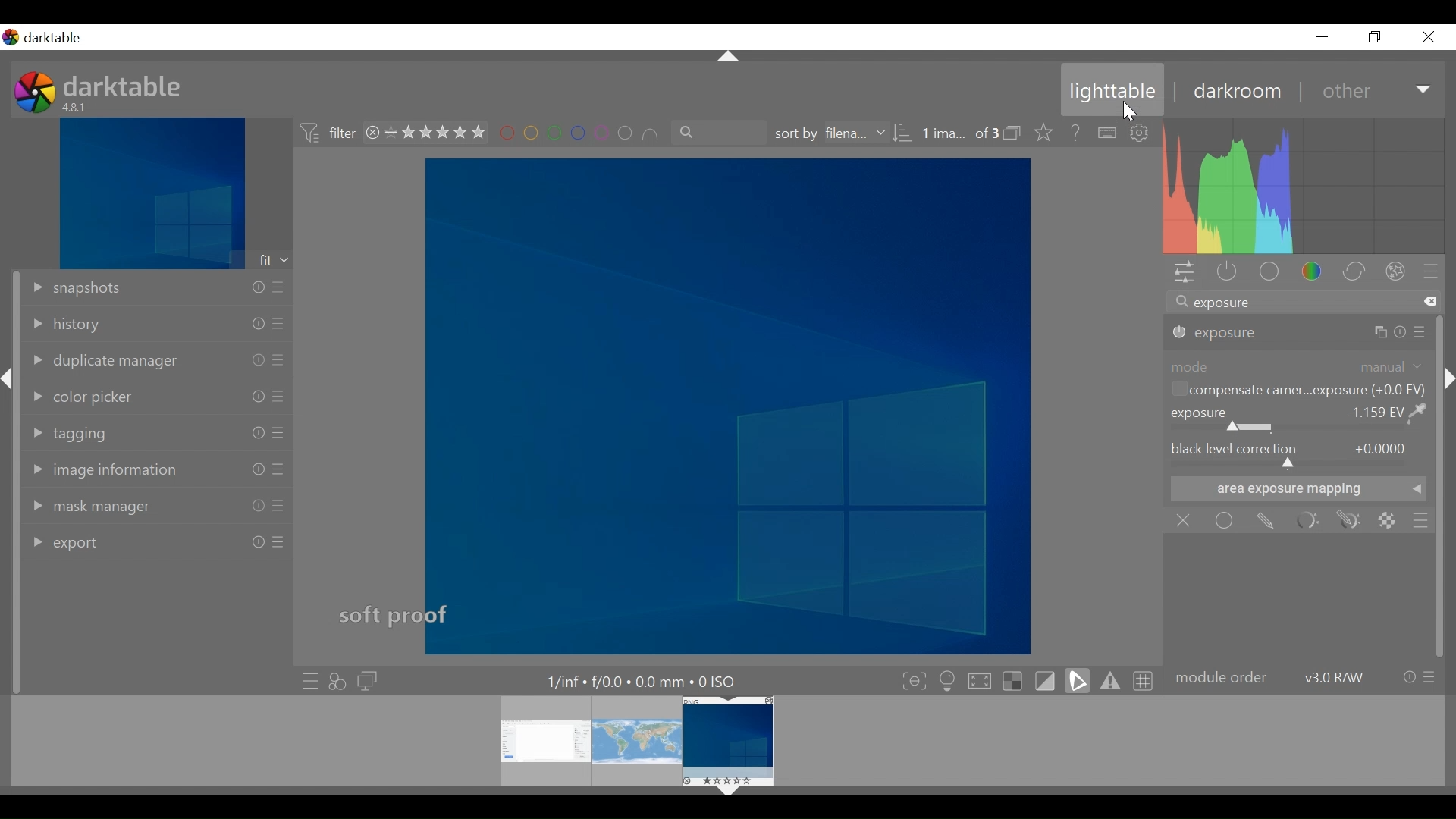  What do you see at coordinates (1182, 521) in the screenshot?
I see `off` at bounding box center [1182, 521].